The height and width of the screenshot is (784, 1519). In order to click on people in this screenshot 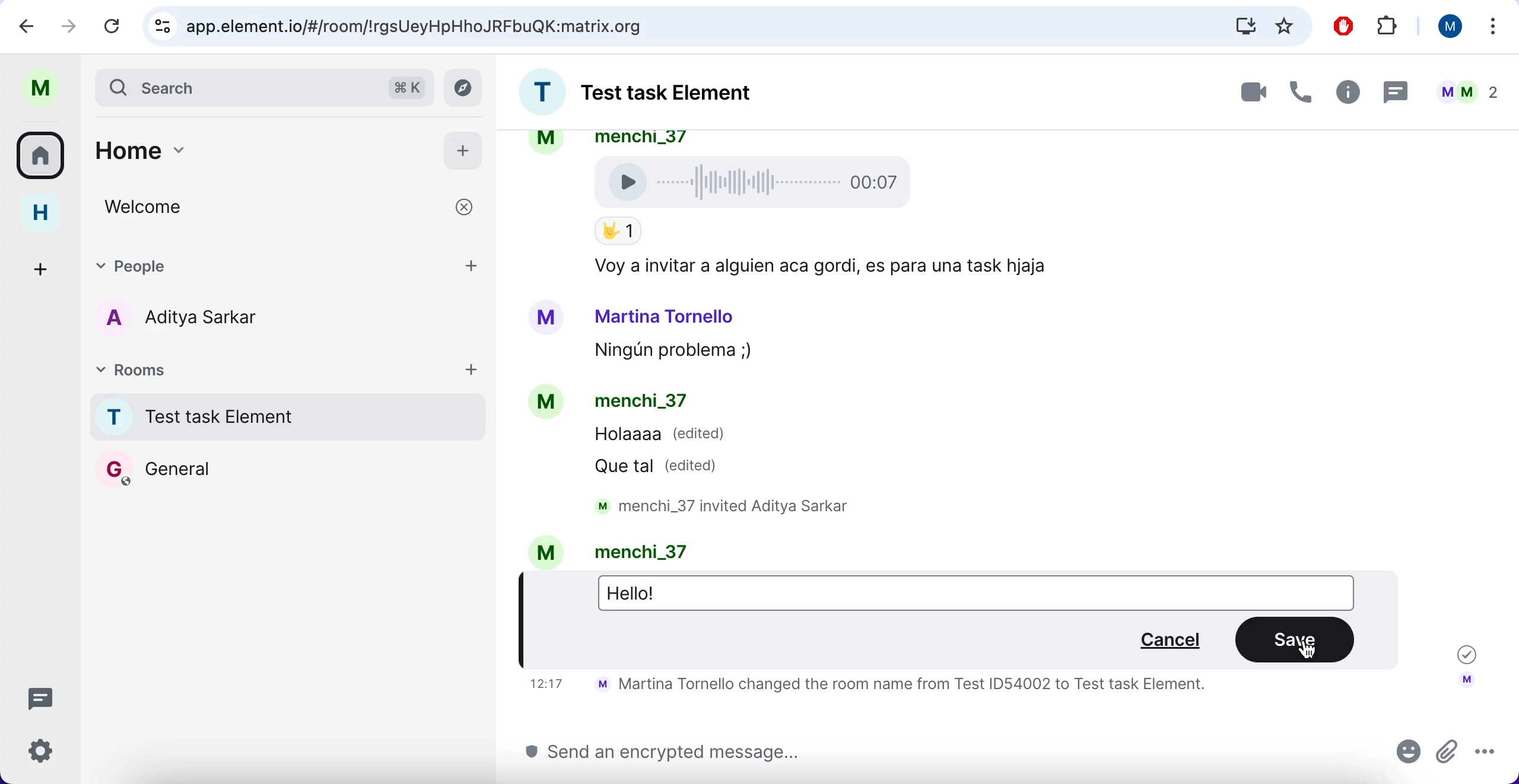, I will do `click(263, 264)`.